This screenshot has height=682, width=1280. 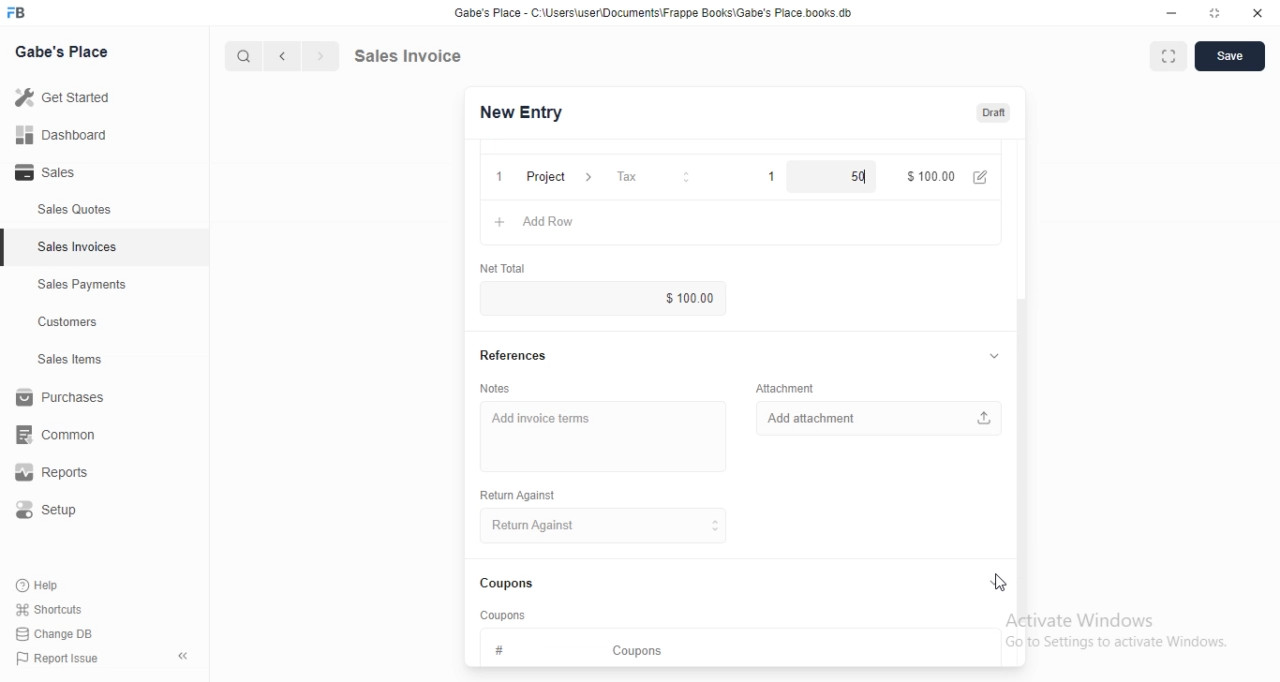 I want to click on Customers., so click(x=62, y=324).